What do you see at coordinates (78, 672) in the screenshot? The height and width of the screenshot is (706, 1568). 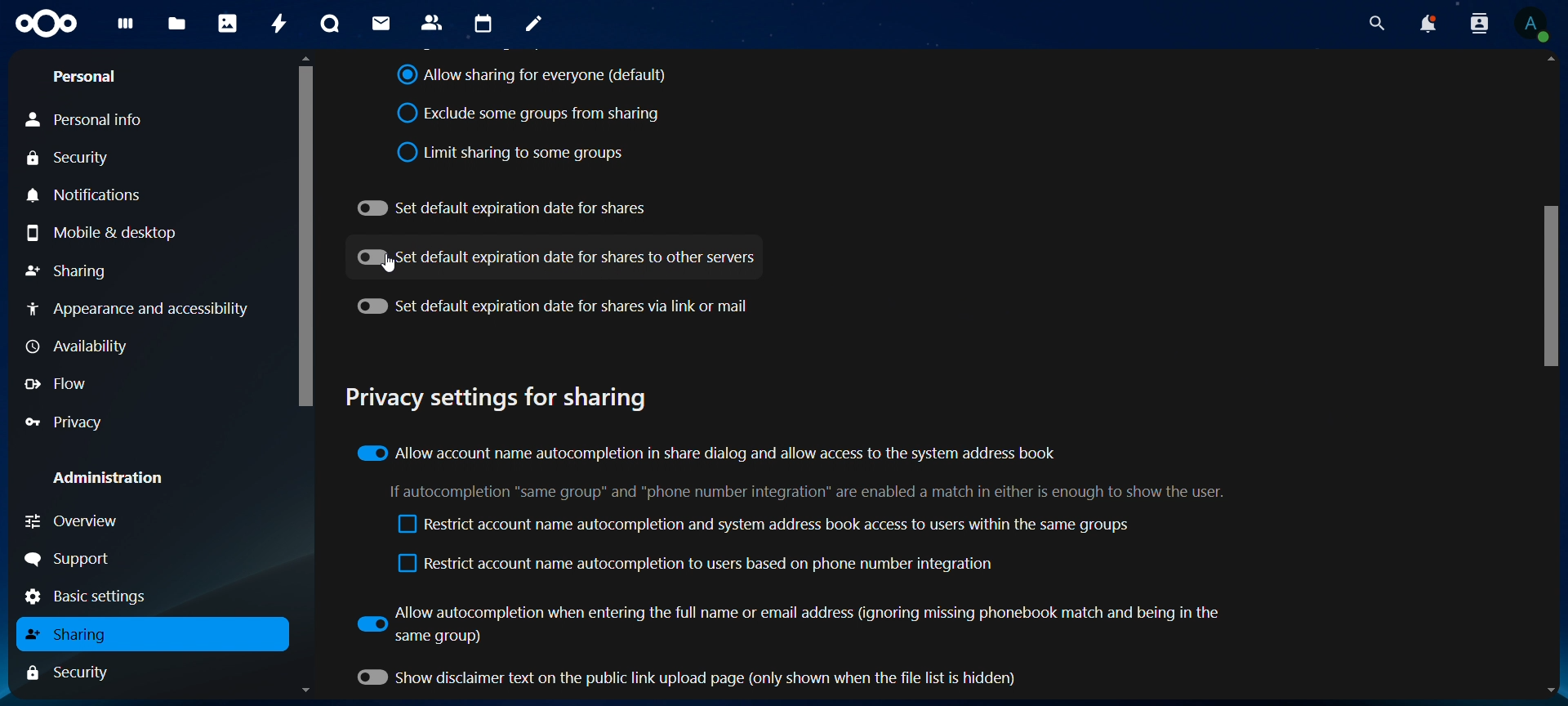 I see `security` at bounding box center [78, 672].